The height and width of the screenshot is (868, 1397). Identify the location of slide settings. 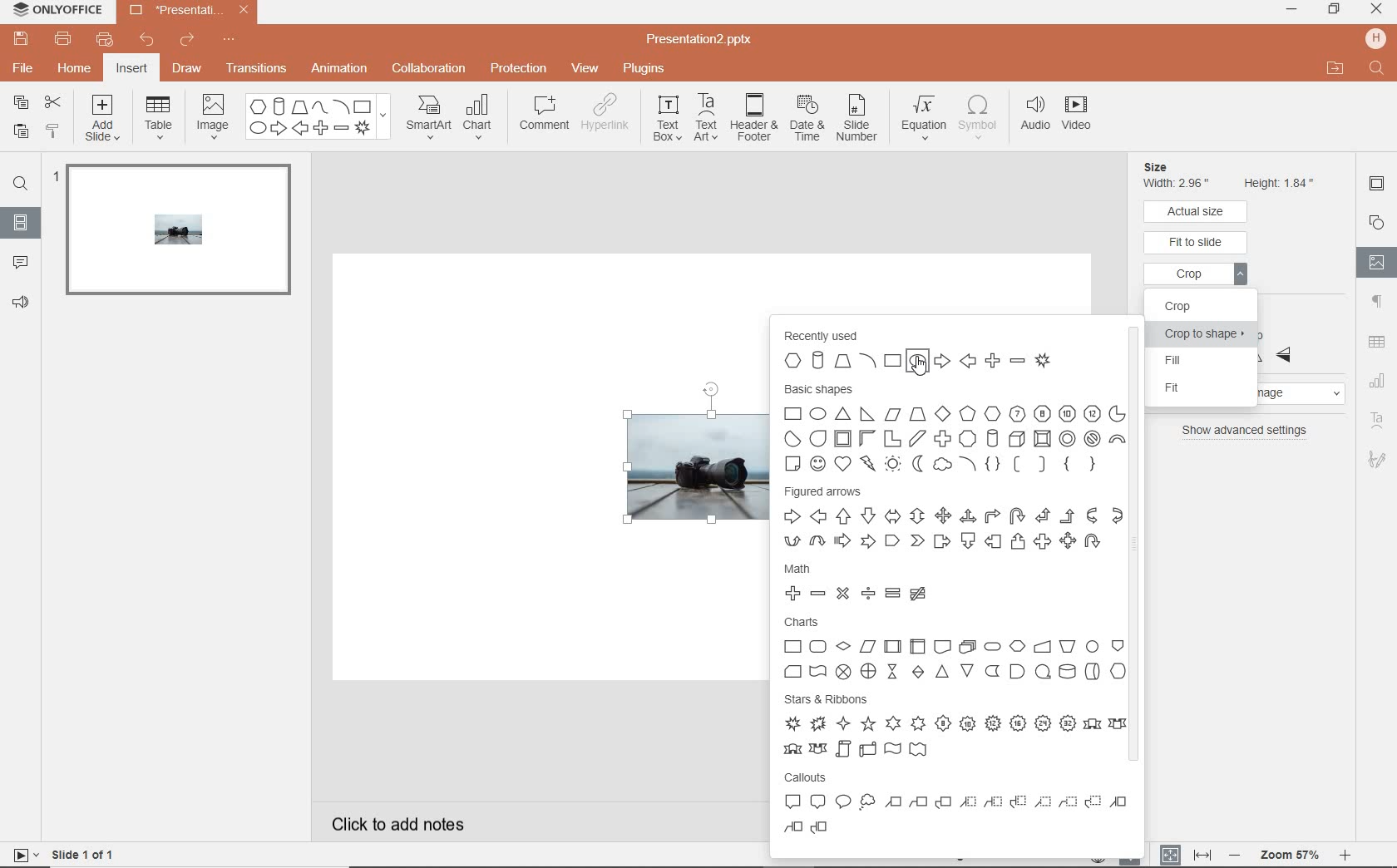
(1377, 186).